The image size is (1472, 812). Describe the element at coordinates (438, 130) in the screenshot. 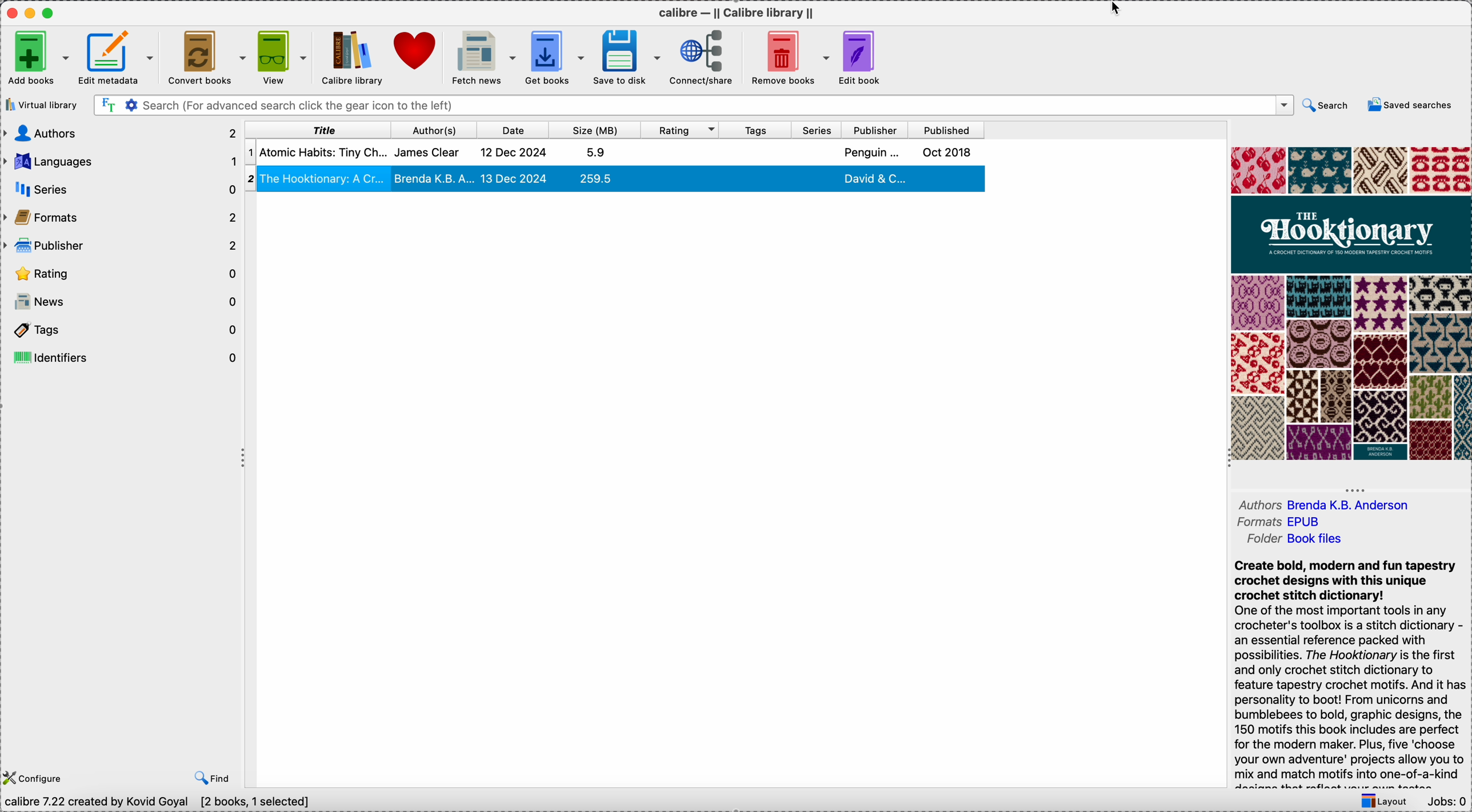

I see `author(s)` at that location.